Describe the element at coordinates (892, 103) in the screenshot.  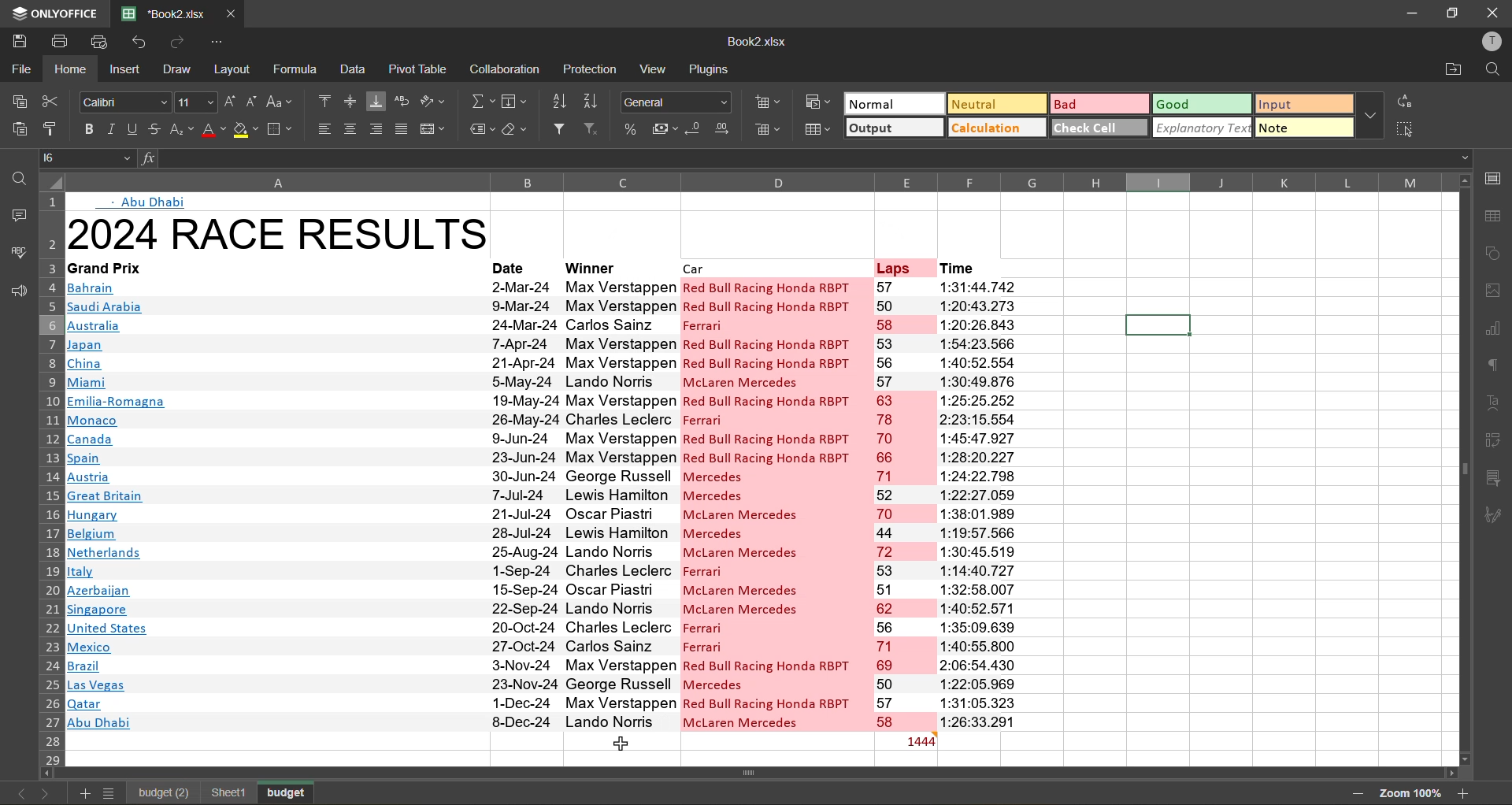
I see `normal` at that location.